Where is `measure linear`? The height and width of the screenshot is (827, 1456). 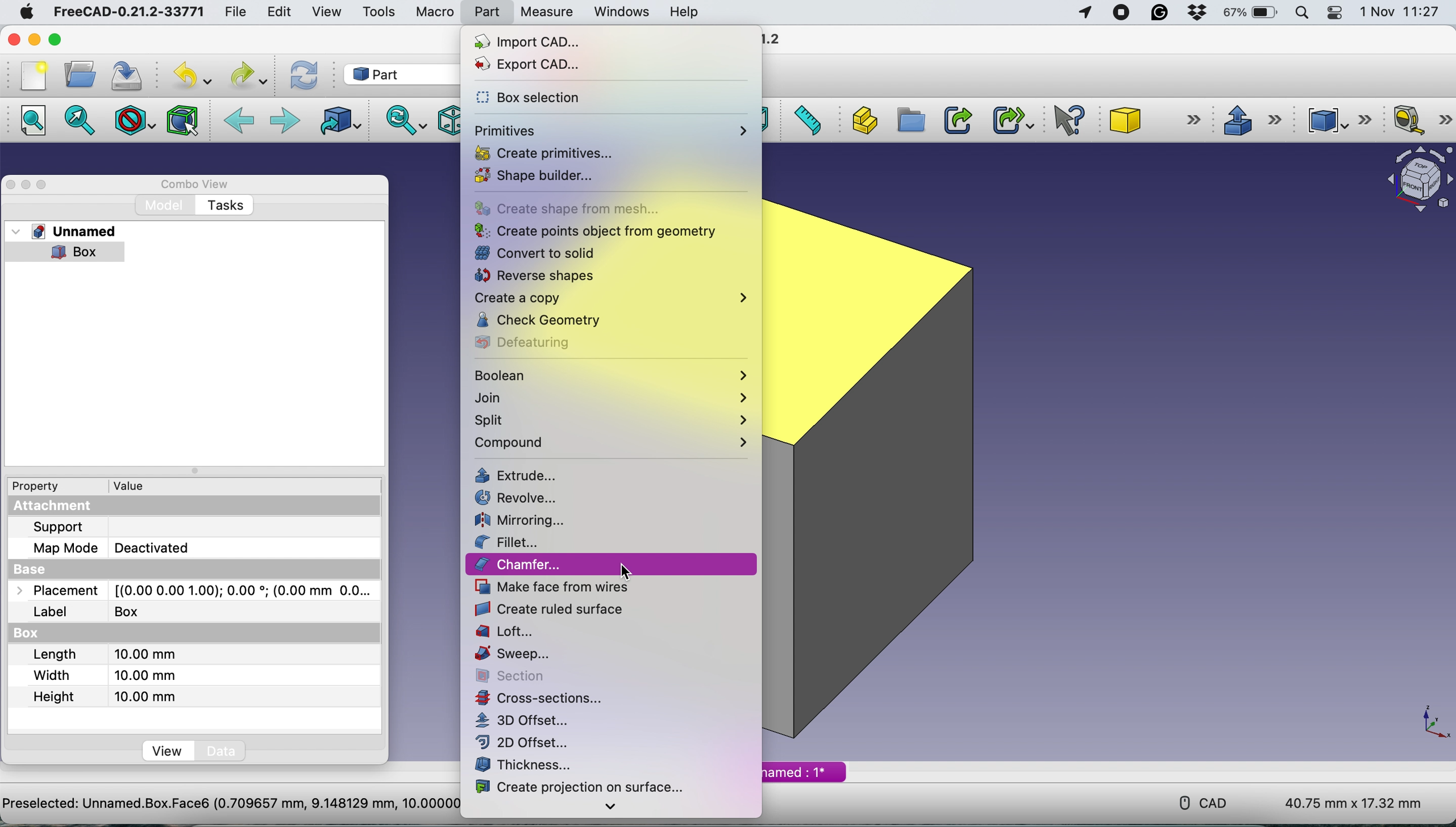
measure linear is located at coordinates (1422, 119).